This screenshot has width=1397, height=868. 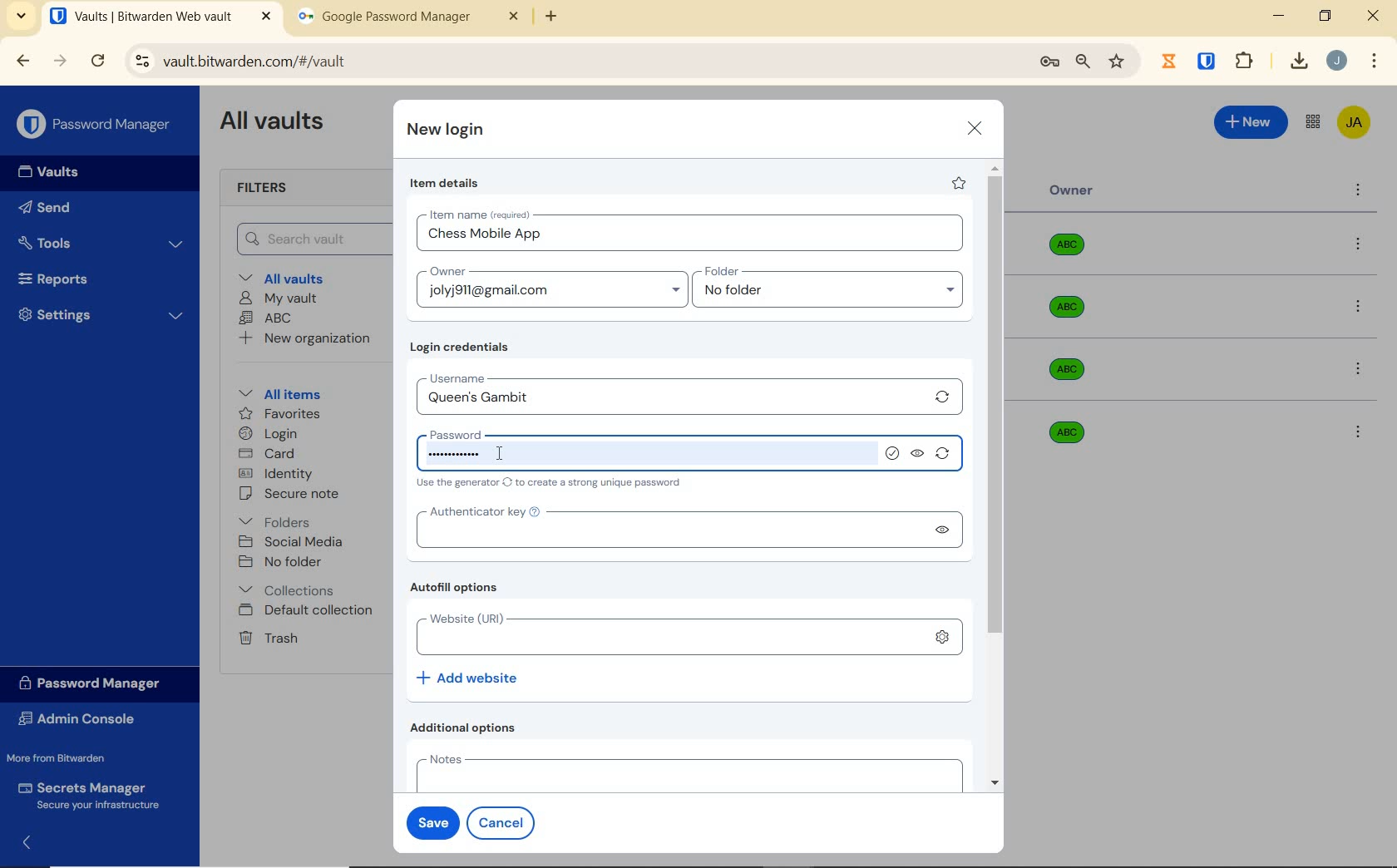 I want to click on Vaults, so click(x=53, y=172).